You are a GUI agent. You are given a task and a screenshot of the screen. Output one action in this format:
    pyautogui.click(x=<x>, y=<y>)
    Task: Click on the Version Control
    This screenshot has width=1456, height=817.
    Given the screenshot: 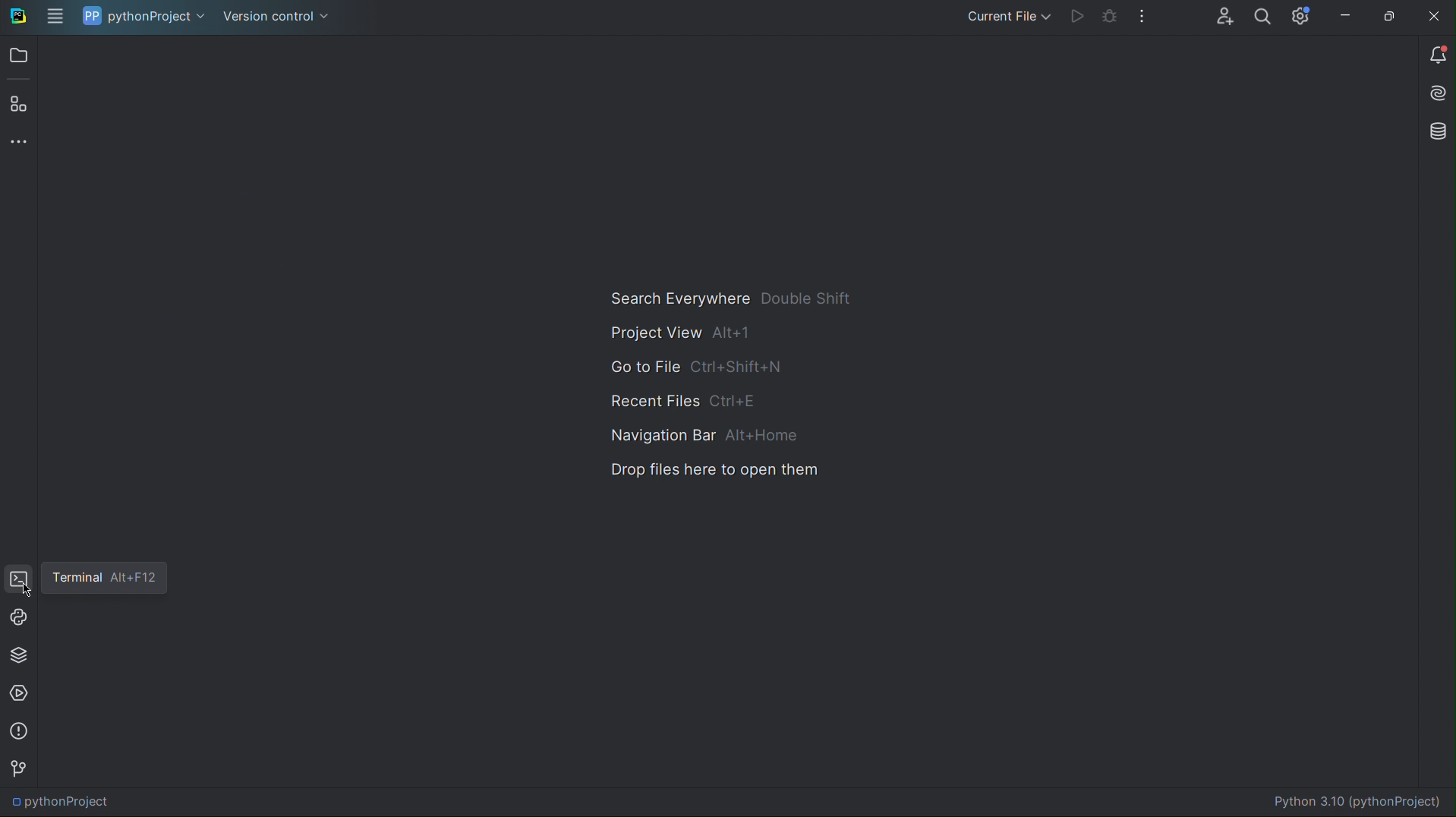 What is the action you would take?
    pyautogui.click(x=277, y=14)
    